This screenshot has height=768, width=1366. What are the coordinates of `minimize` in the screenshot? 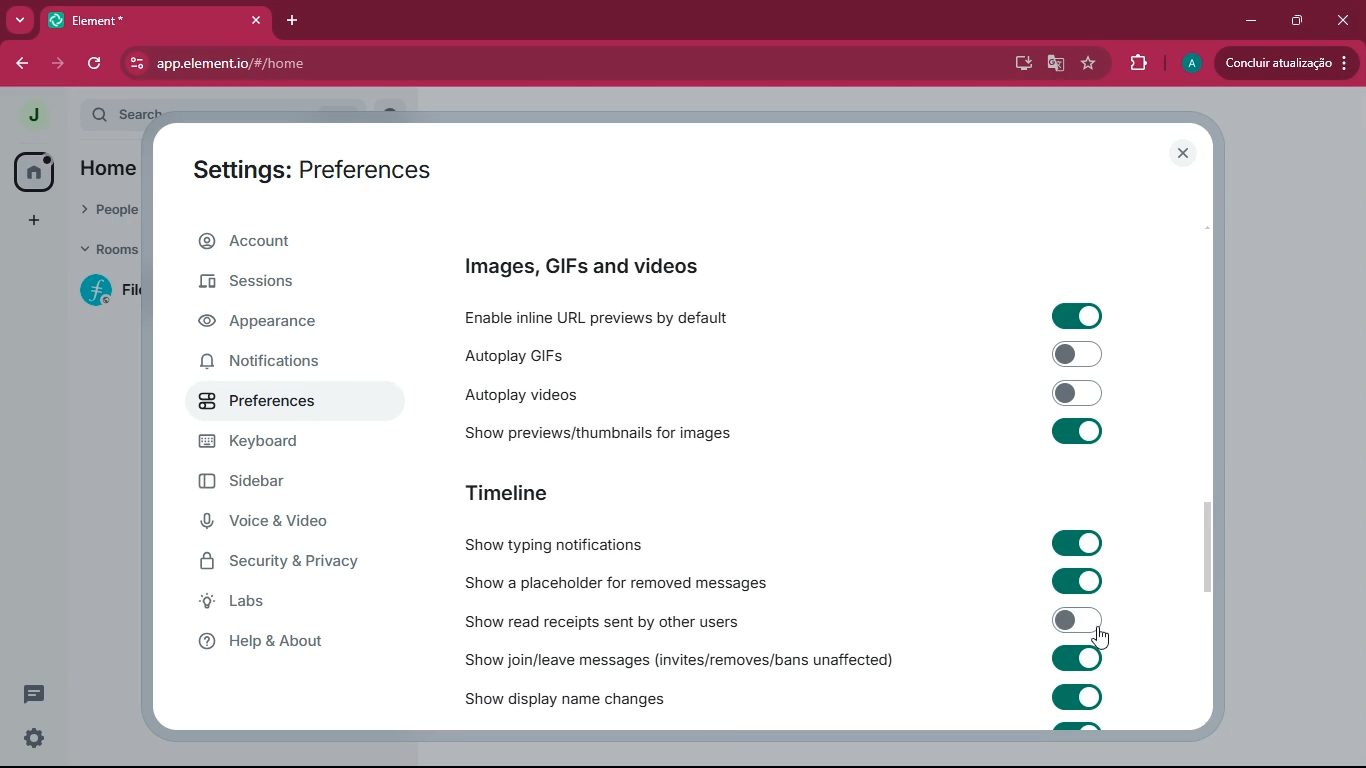 It's located at (1249, 20).